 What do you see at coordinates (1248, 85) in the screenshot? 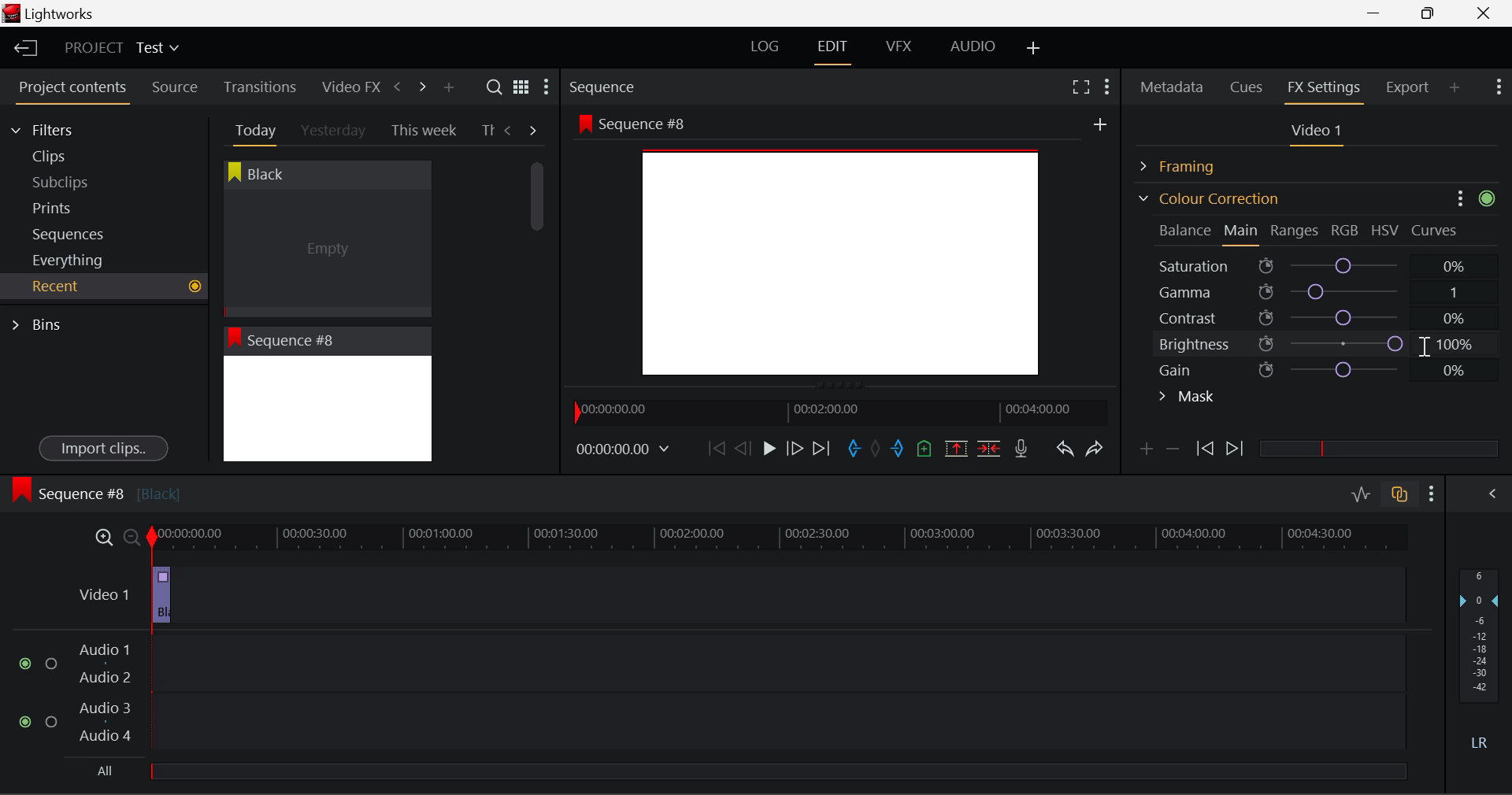
I see `Cues Panel` at bounding box center [1248, 85].